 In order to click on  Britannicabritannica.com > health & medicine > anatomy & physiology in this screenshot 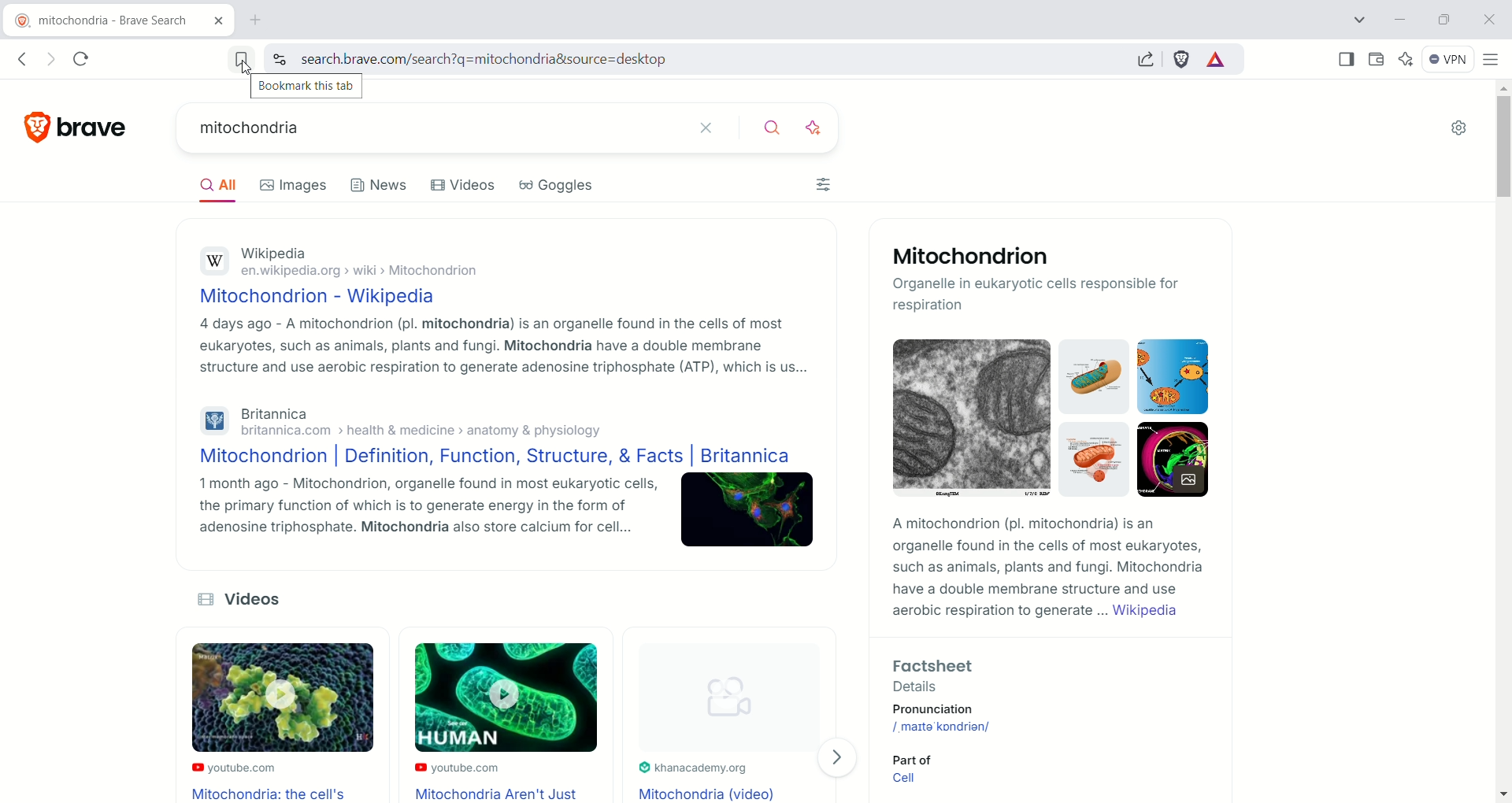, I will do `click(400, 421)`.